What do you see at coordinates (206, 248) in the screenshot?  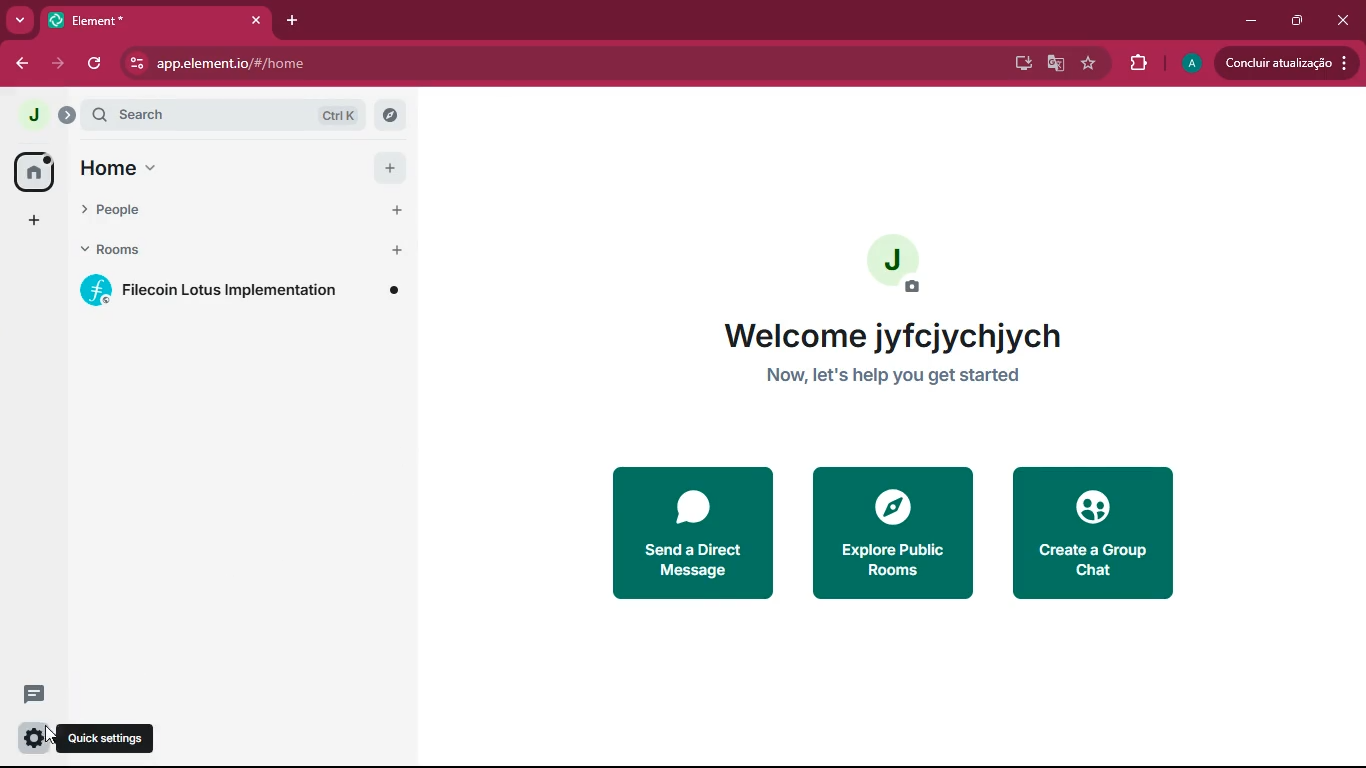 I see `rooms` at bounding box center [206, 248].